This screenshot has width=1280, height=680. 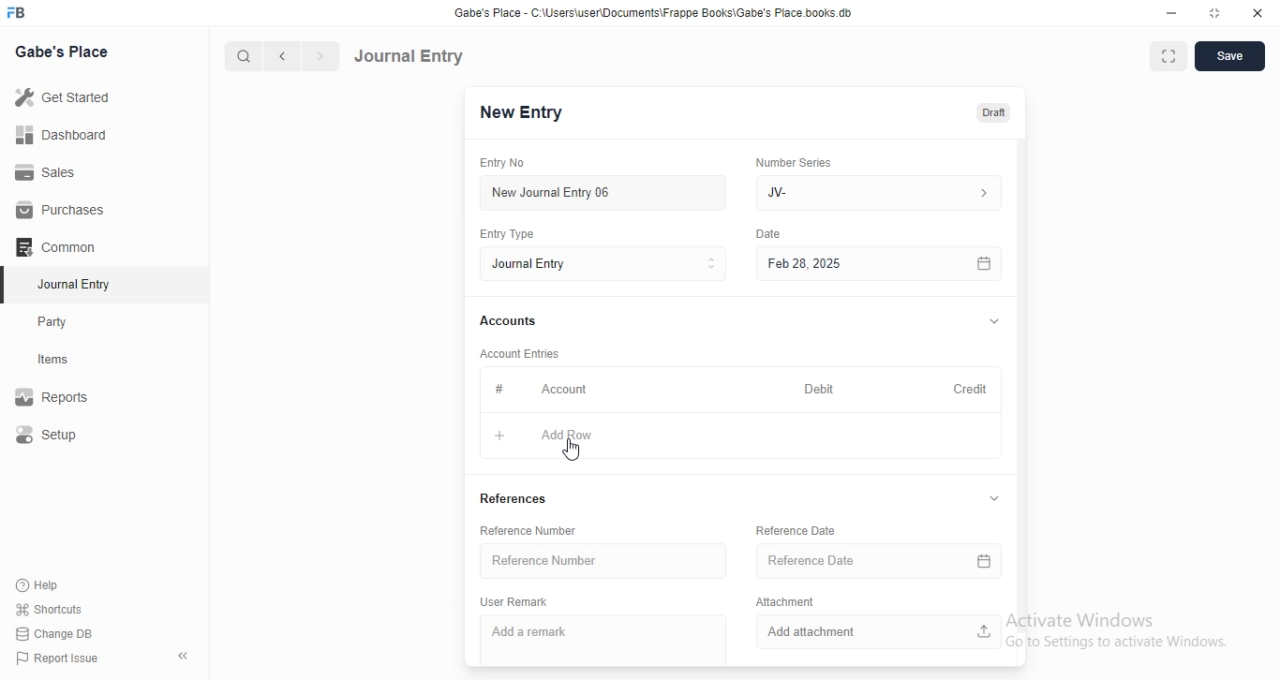 I want to click on next, so click(x=318, y=57).